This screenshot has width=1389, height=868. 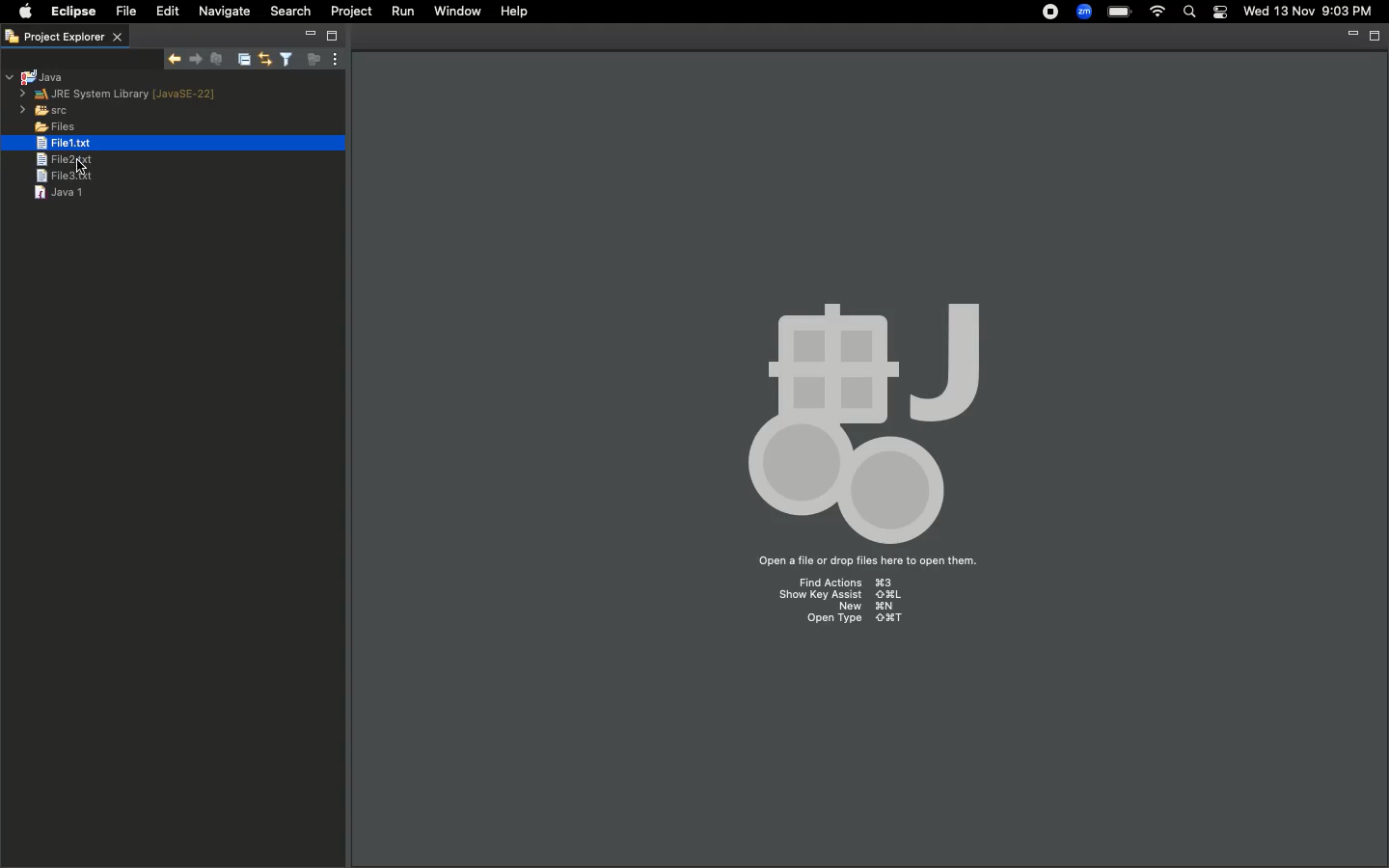 What do you see at coordinates (515, 12) in the screenshot?
I see `Help` at bounding box center [515, 12].